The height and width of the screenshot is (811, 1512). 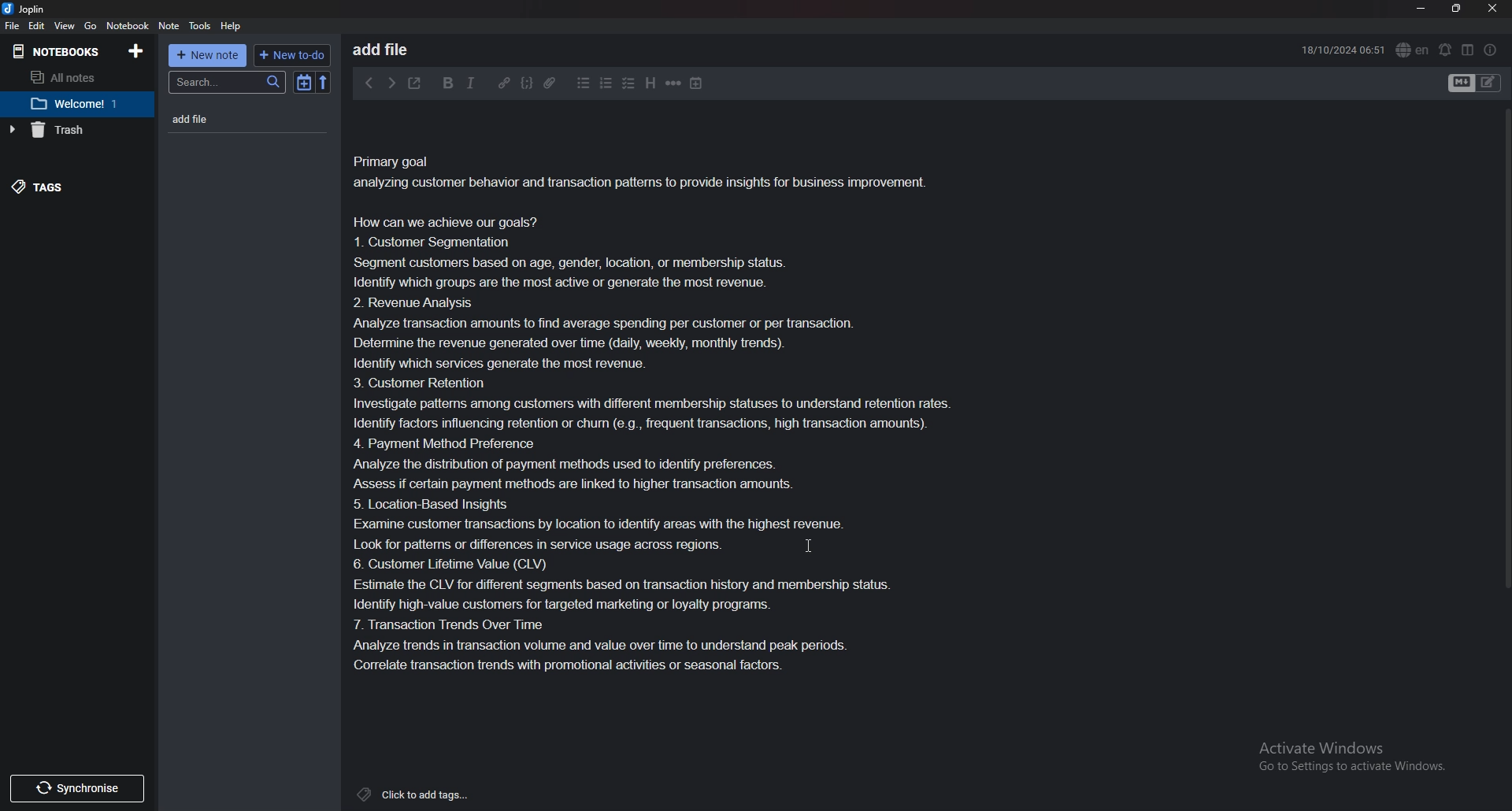 I want to click on Horizontal rule, so click(x=673, y=85).